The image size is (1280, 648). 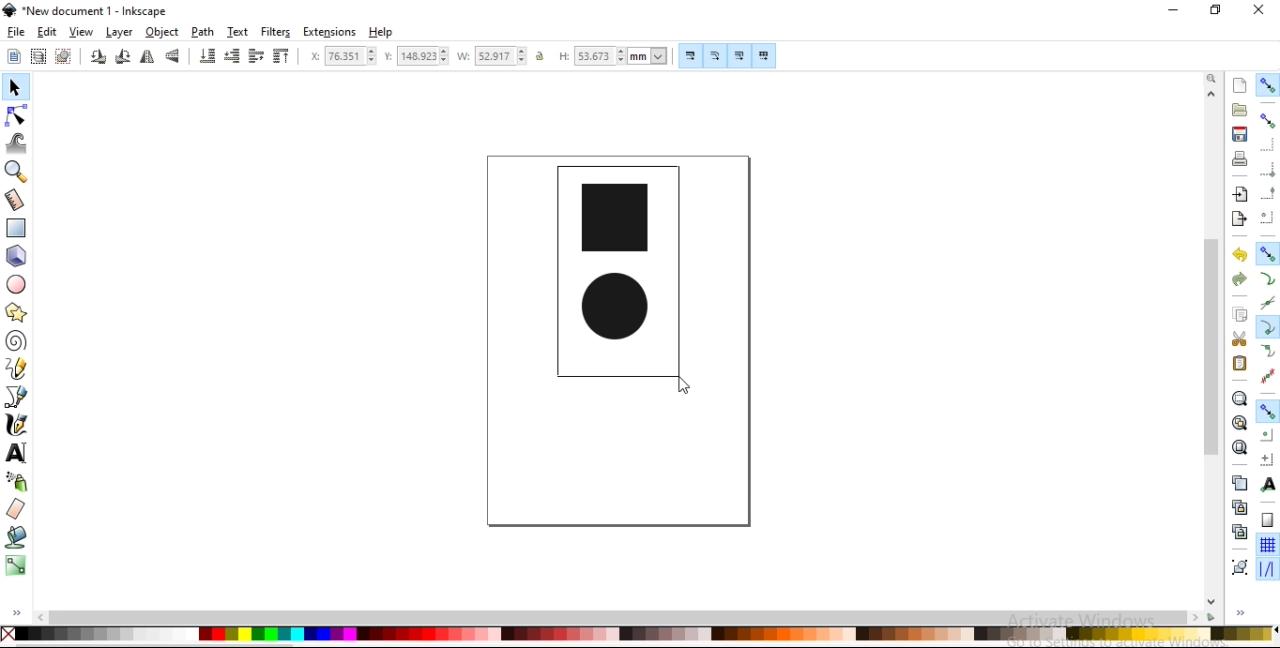 I want to click on raise selection to top, so click(x=282, y=57).